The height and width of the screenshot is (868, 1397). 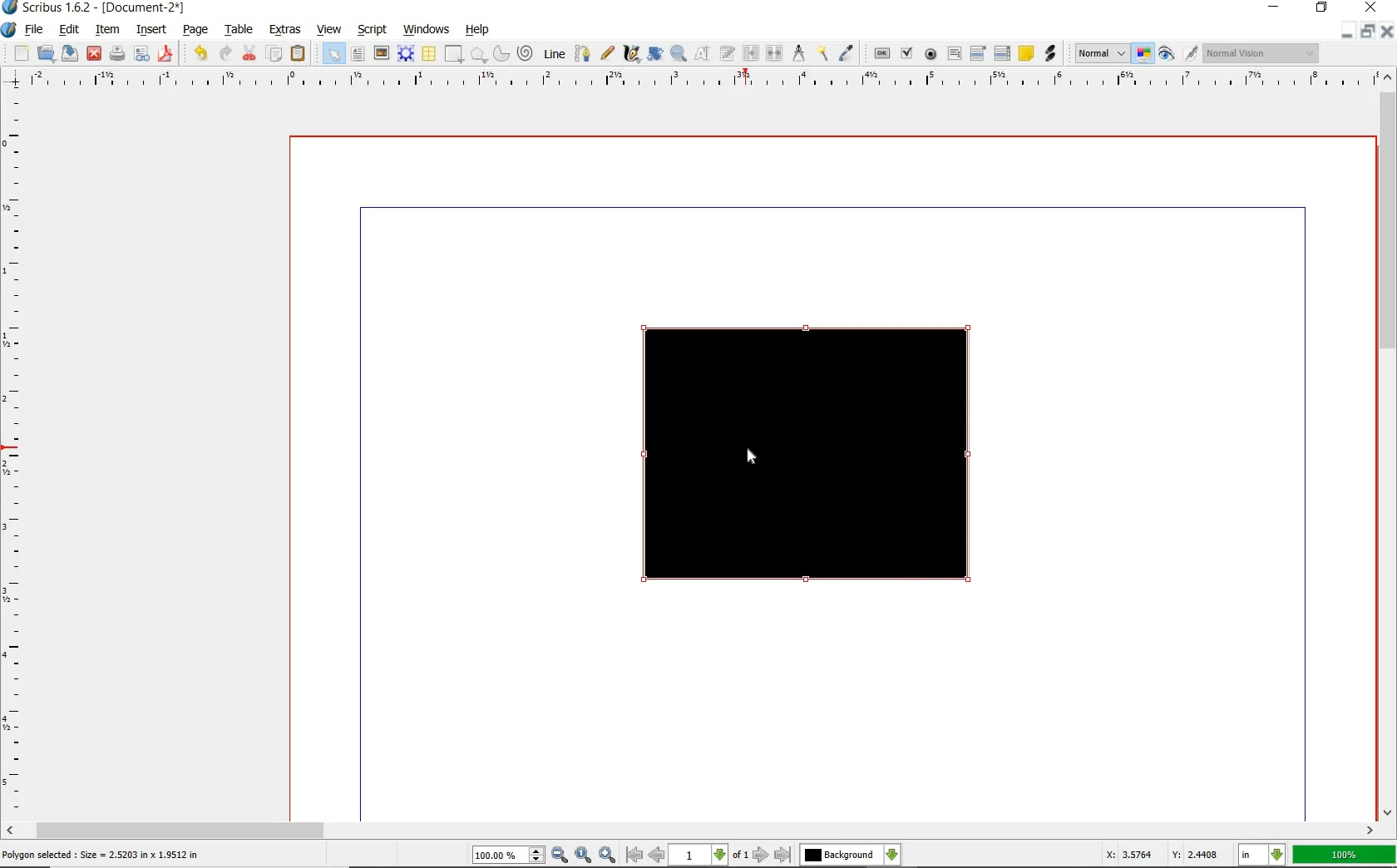 What do you see at coordinates (1026, 53) in the screenshot?
I see `text annotation` at bounding box center [1026, 53].